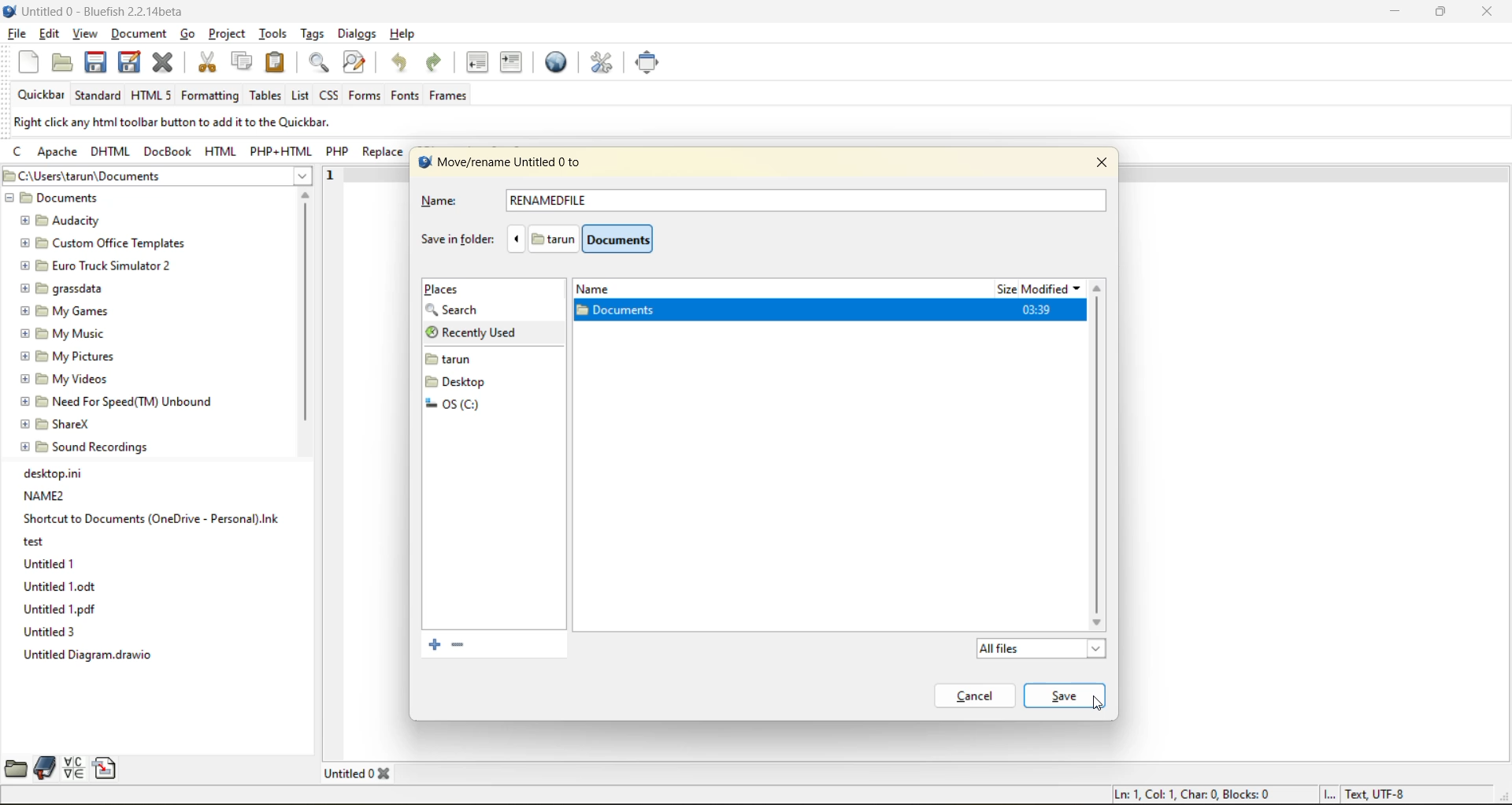 This screenshot has height=805, width=1512. Describe the element at coordinates (366, 96) in the screenshot. I see `forms` at that location.